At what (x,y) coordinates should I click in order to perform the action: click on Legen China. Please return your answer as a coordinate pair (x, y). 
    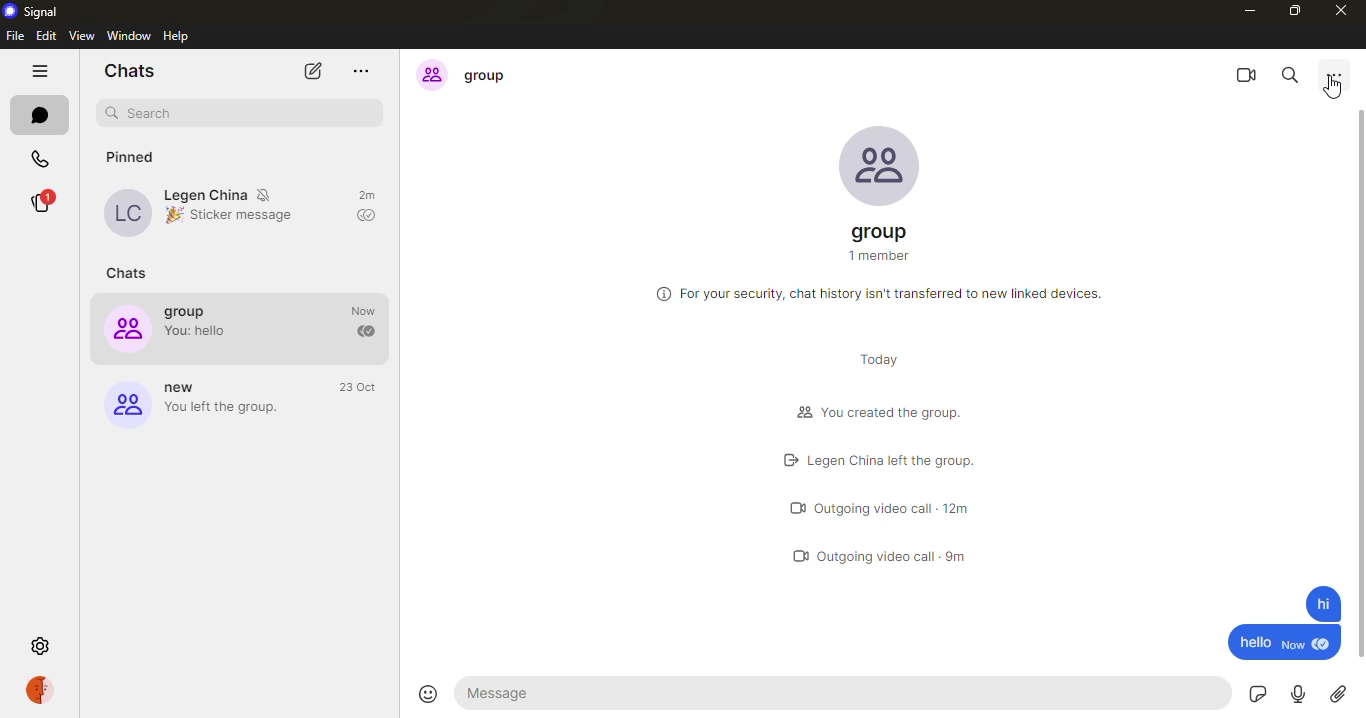
    Looking at the image, I should click on (205, 194).